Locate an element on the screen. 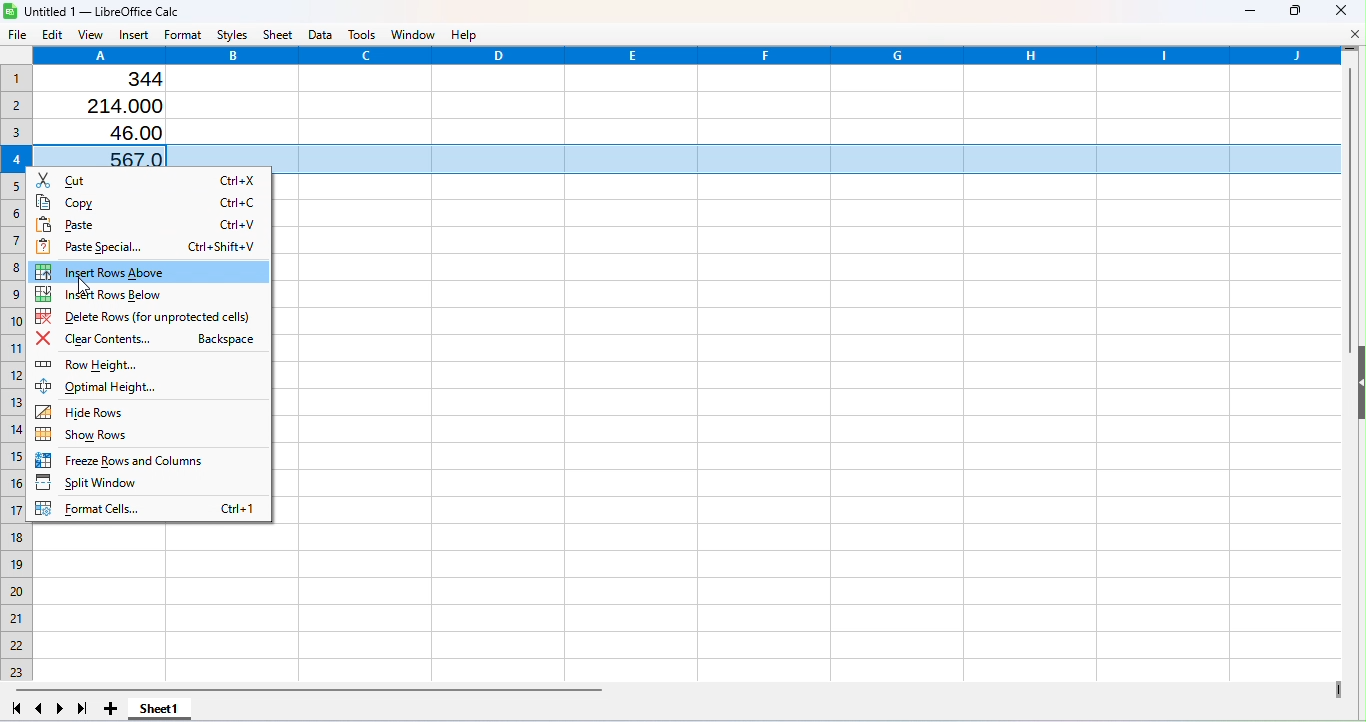  Horizontal scroll bar is located at coordinates (673, 688).